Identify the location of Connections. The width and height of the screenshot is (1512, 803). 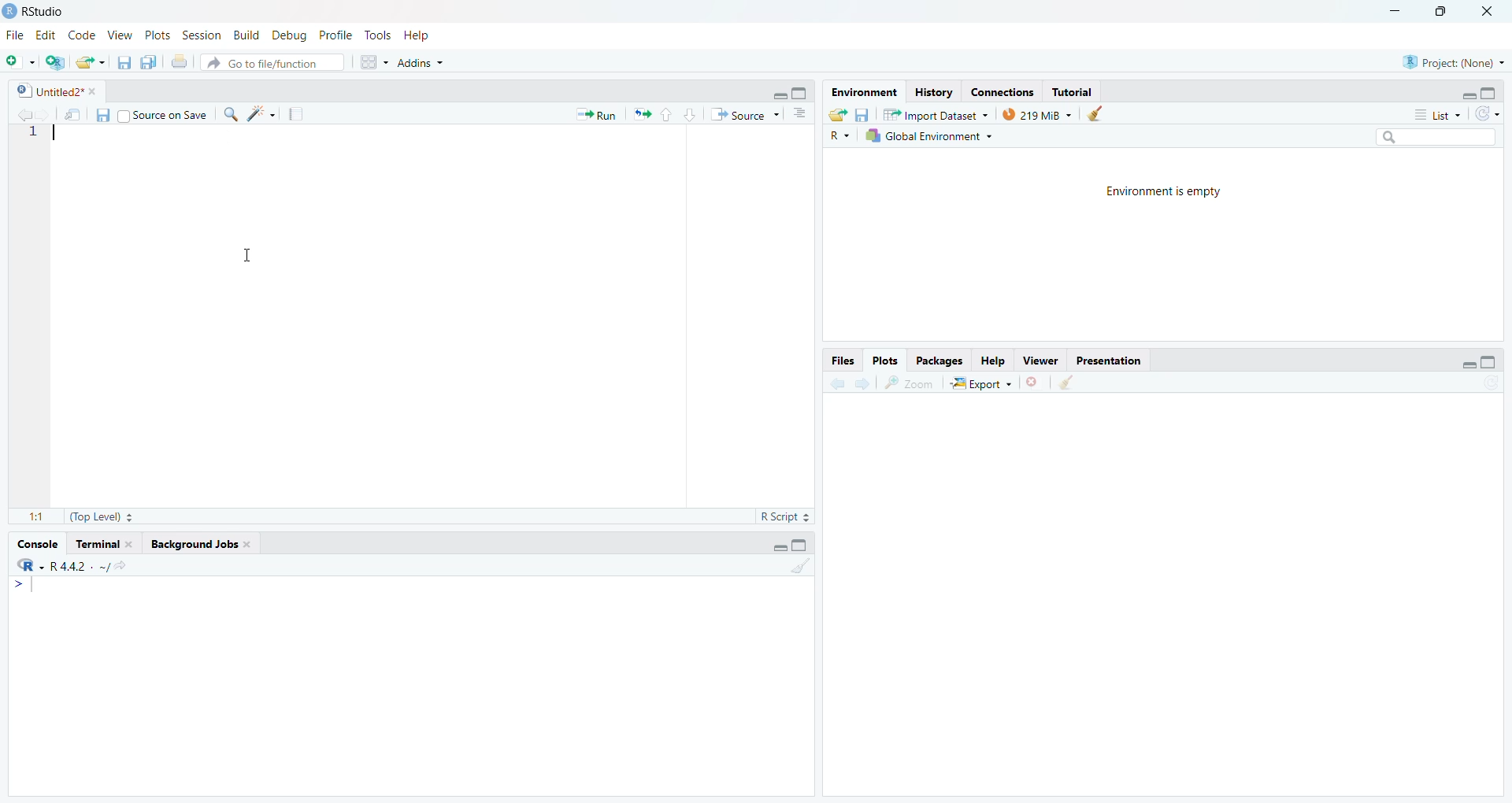
(1003, 91).